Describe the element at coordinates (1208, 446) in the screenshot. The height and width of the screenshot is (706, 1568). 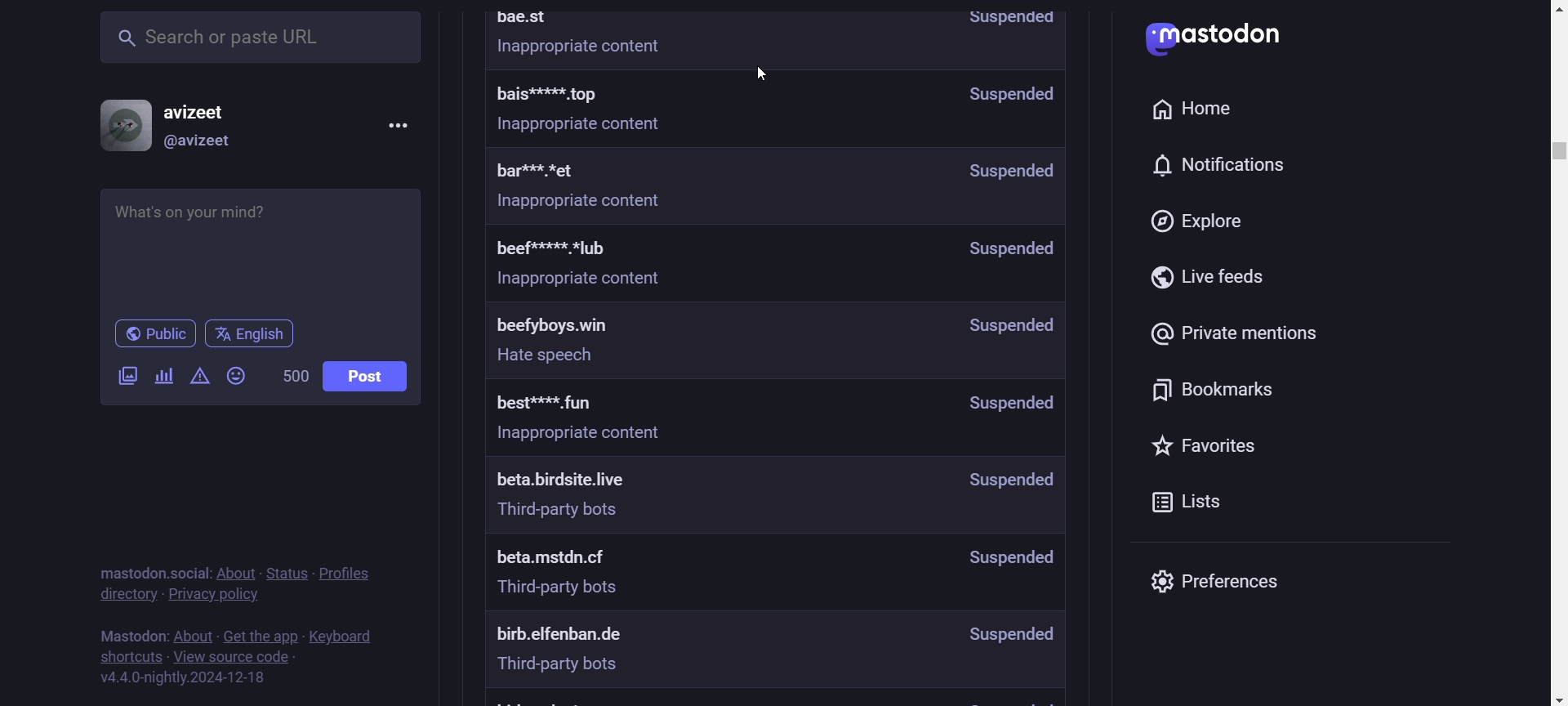
I see `favorites` at that location.